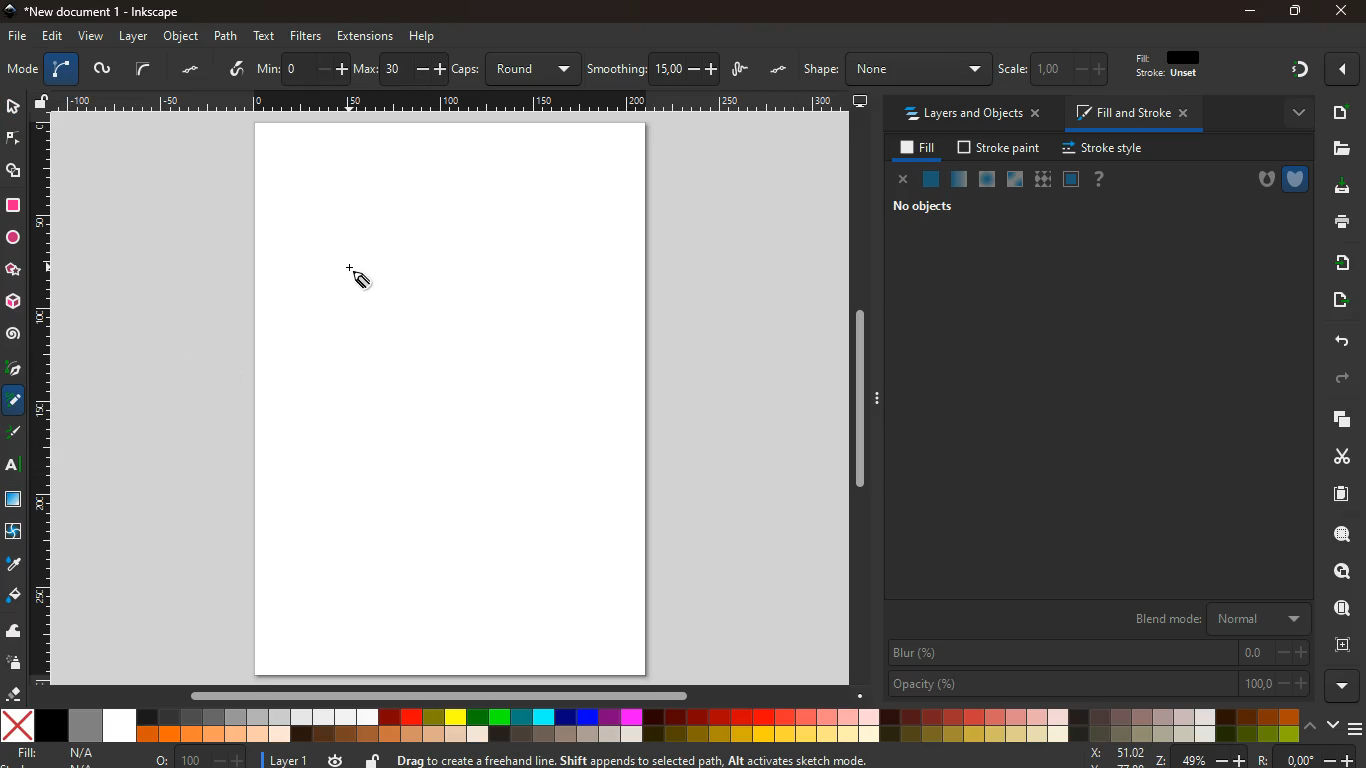 The image size is (1366, 768). What do you see at coordinates (1042, 179) in the screenshot?
I see `texture` at bounding box center [1042, 179].